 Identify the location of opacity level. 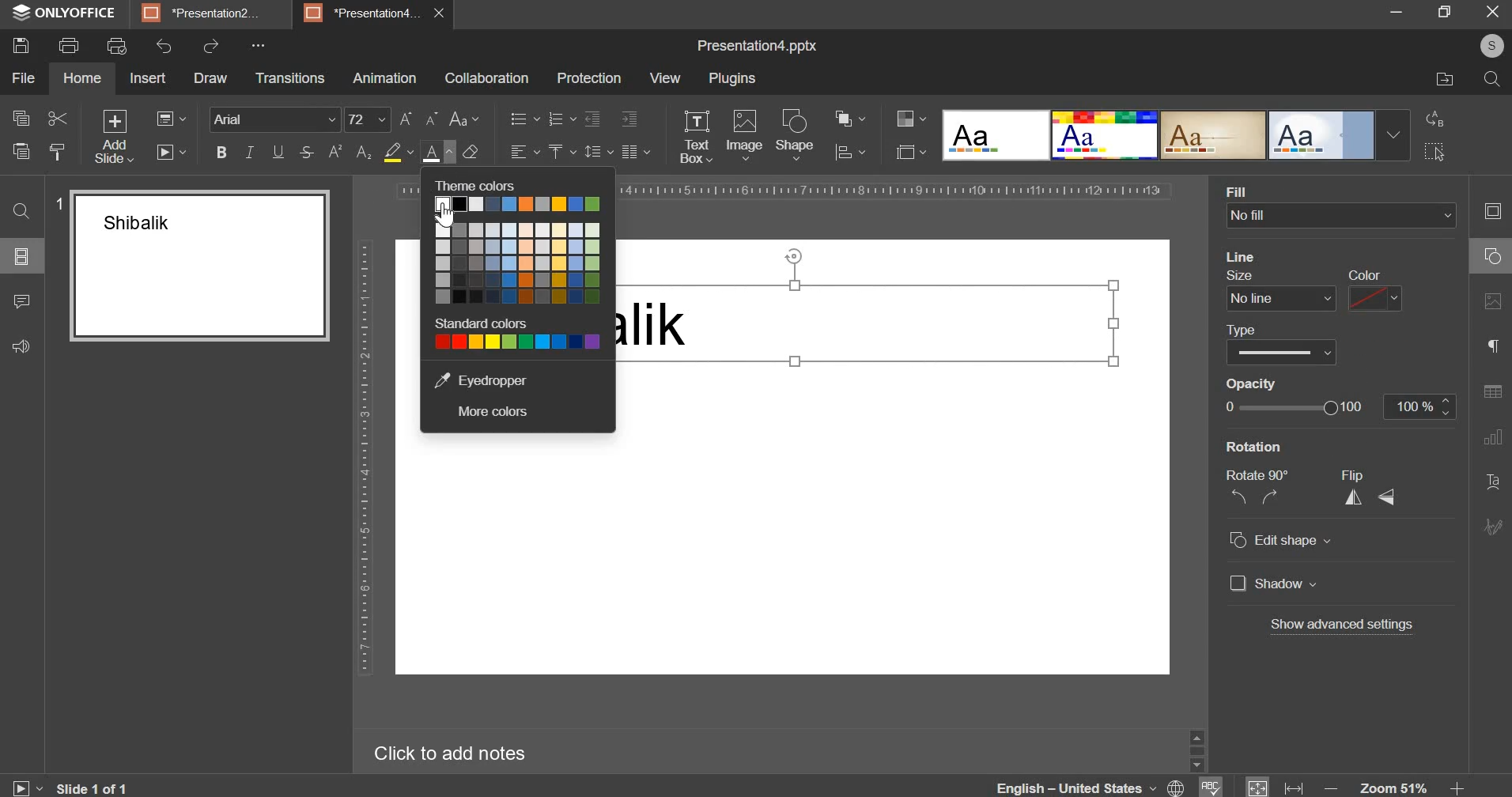
(1421, 407).